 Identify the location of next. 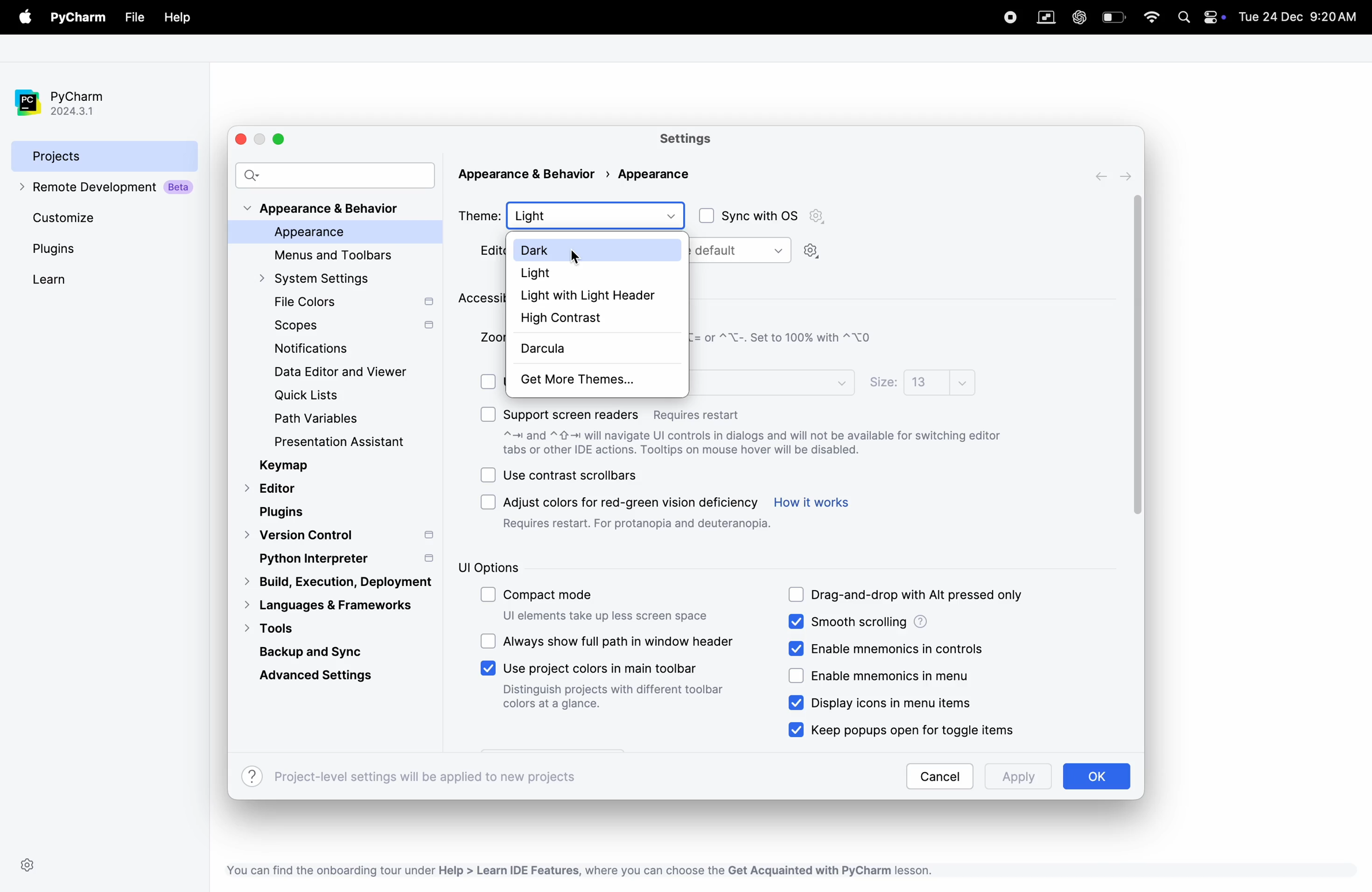
(1128, 176).